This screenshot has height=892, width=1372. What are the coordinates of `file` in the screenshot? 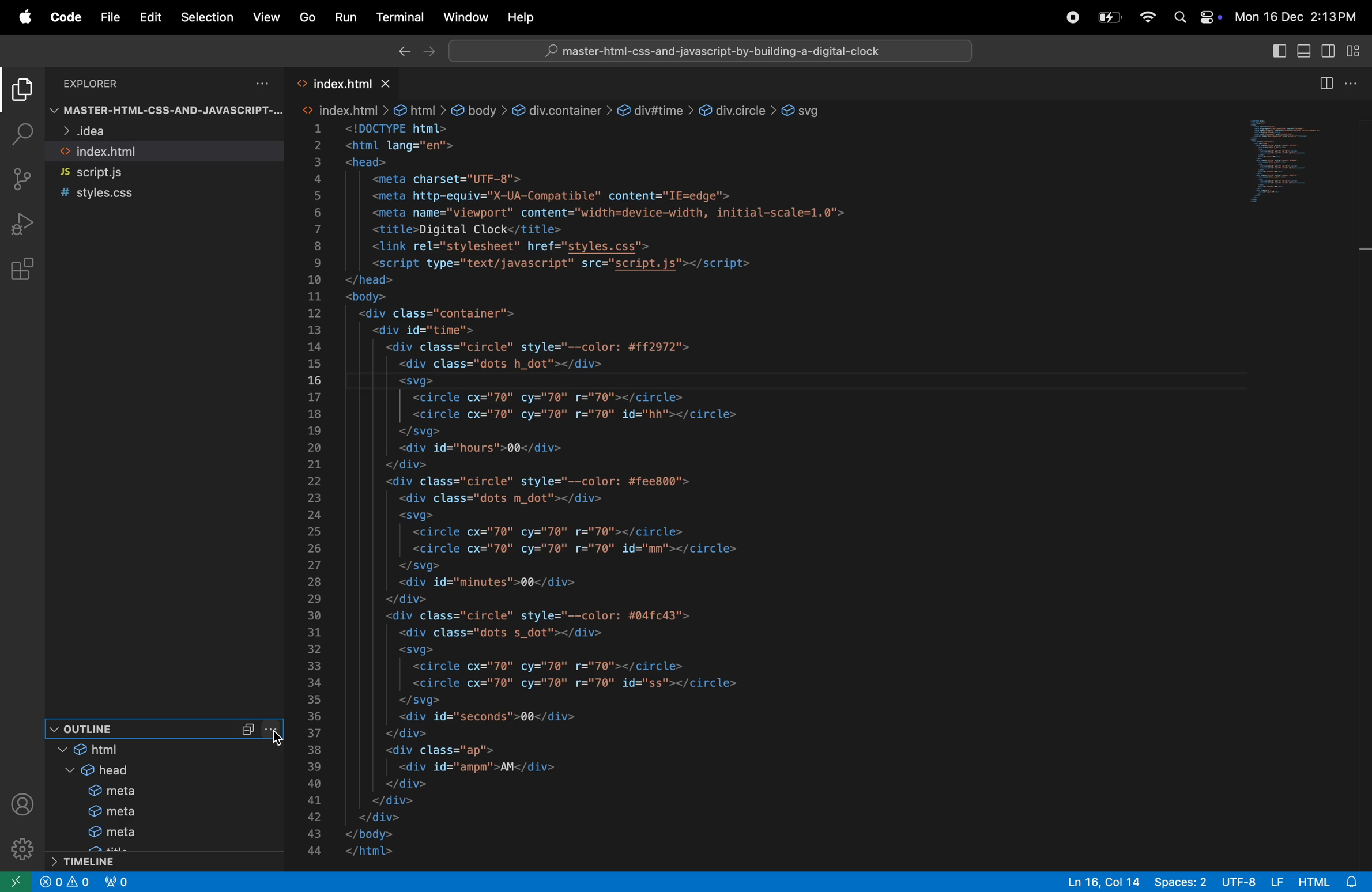 It's located at (109, 18).